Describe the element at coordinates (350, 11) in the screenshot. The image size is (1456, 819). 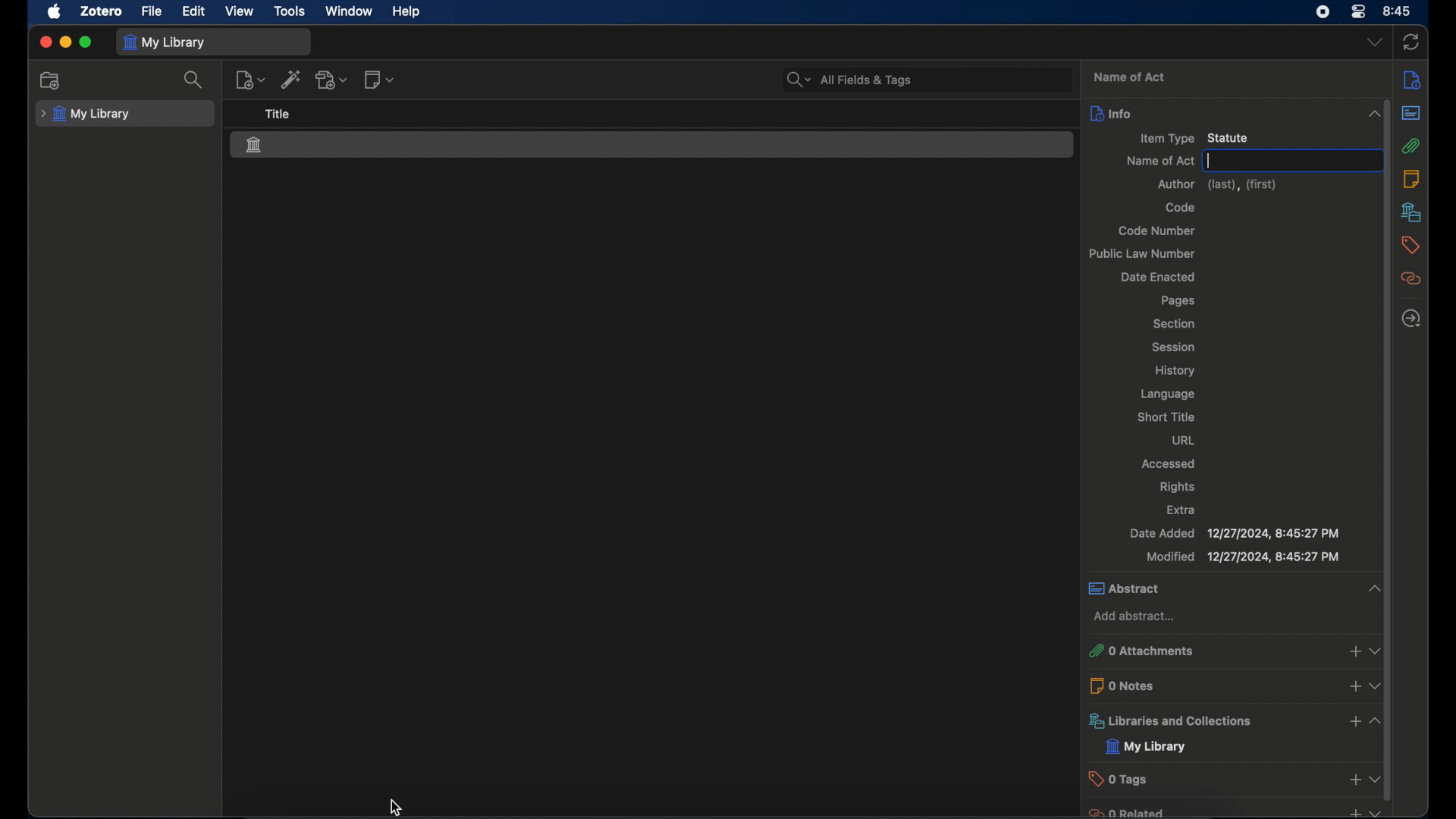
I see `window` at that location.